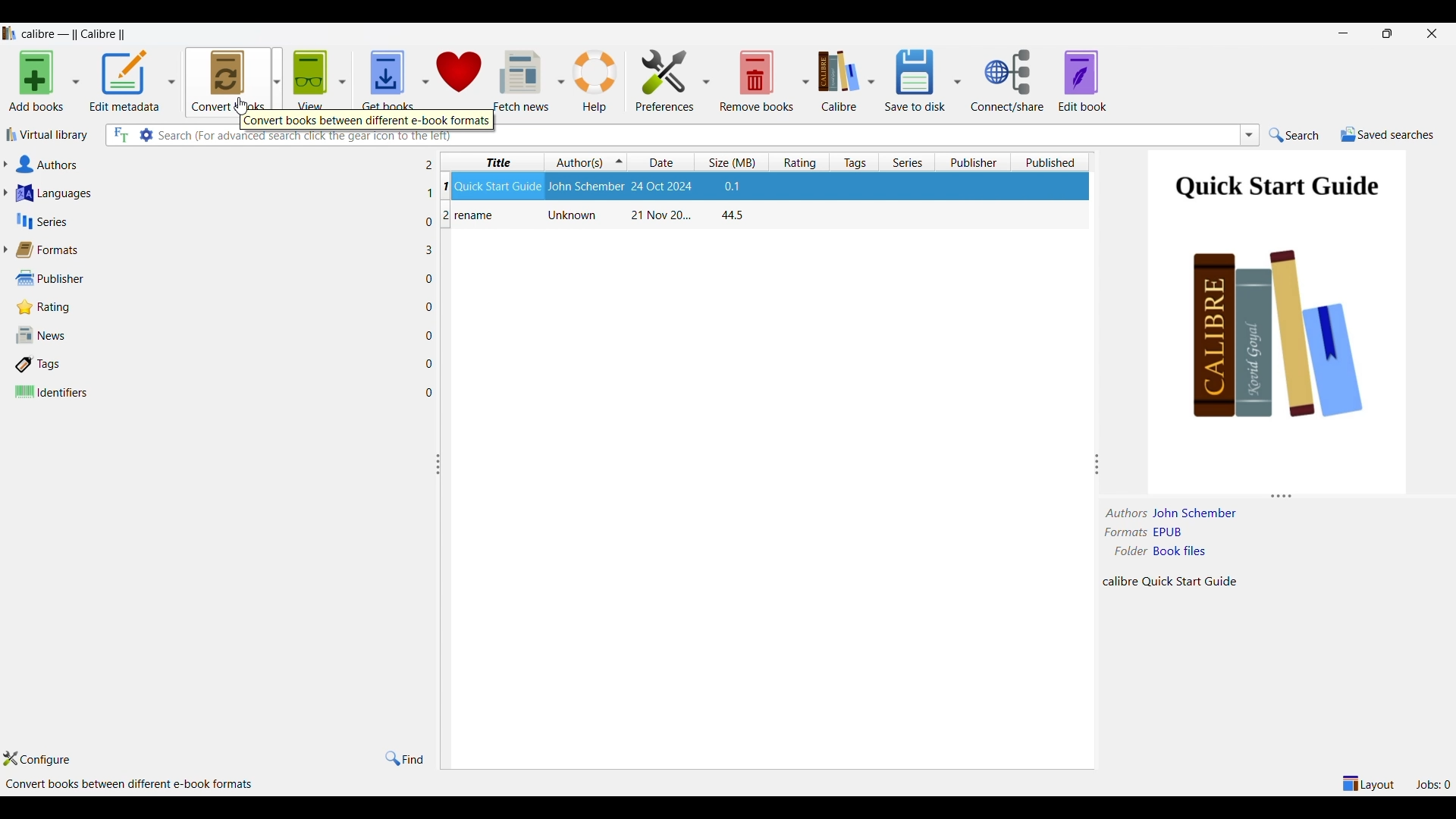  What do you see at coordinates (367, 123) in the screenshot?
I see `Description of selected icon` at bounding box center [367, 123].